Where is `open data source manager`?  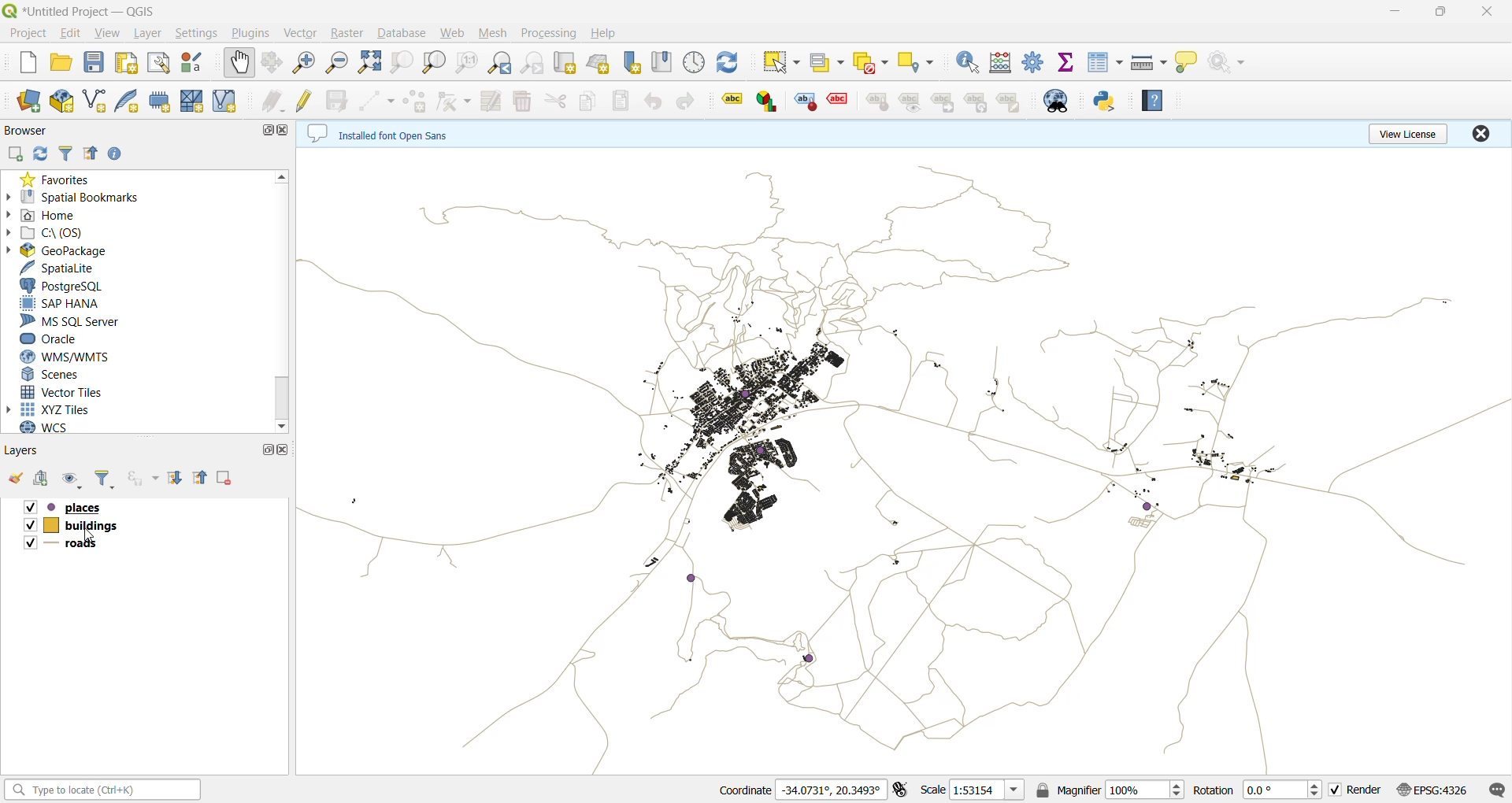 open data source manager is located at coordinates (27, 102).